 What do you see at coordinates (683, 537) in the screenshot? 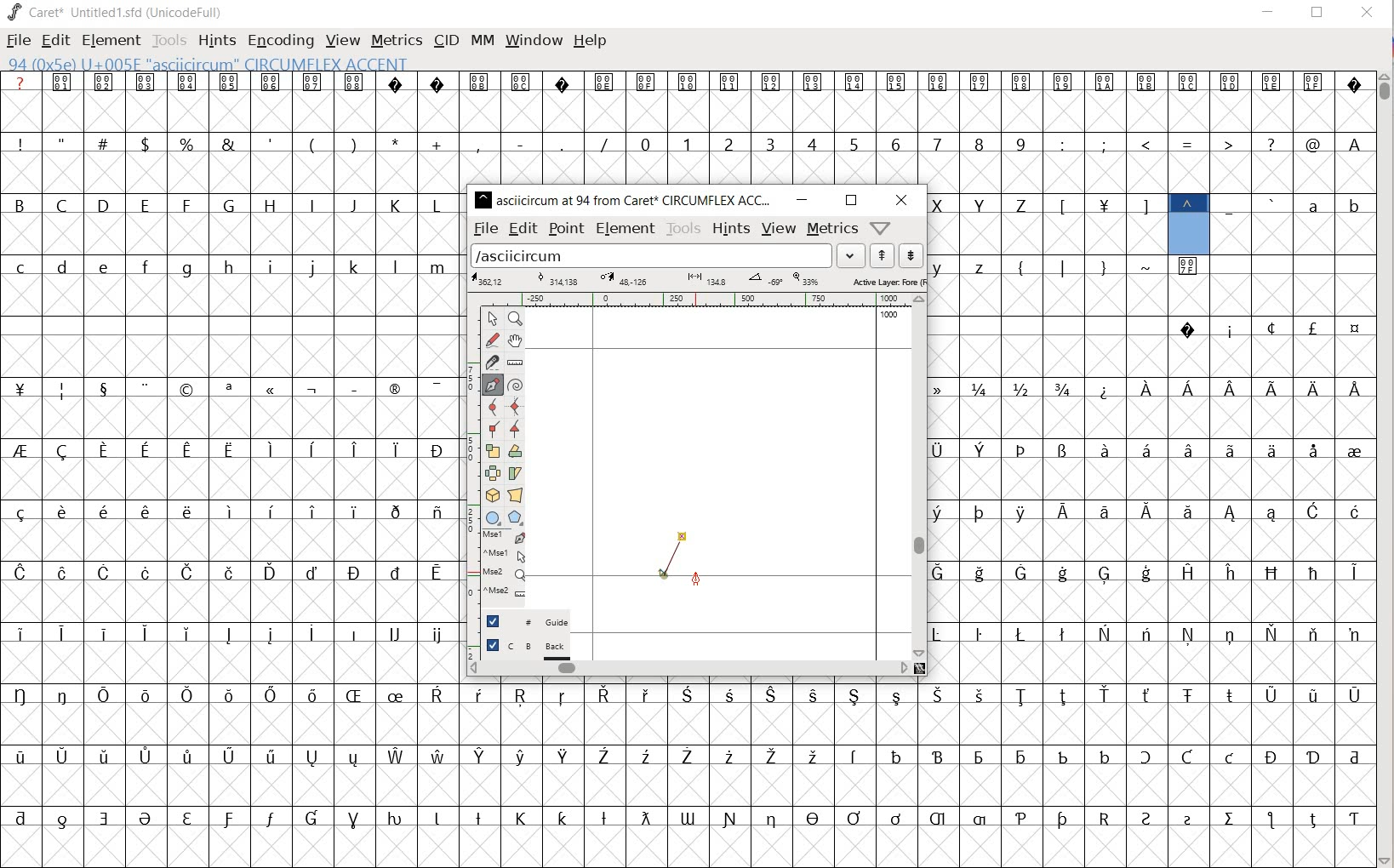
I see `second point added` at bounding box center [683, 537].